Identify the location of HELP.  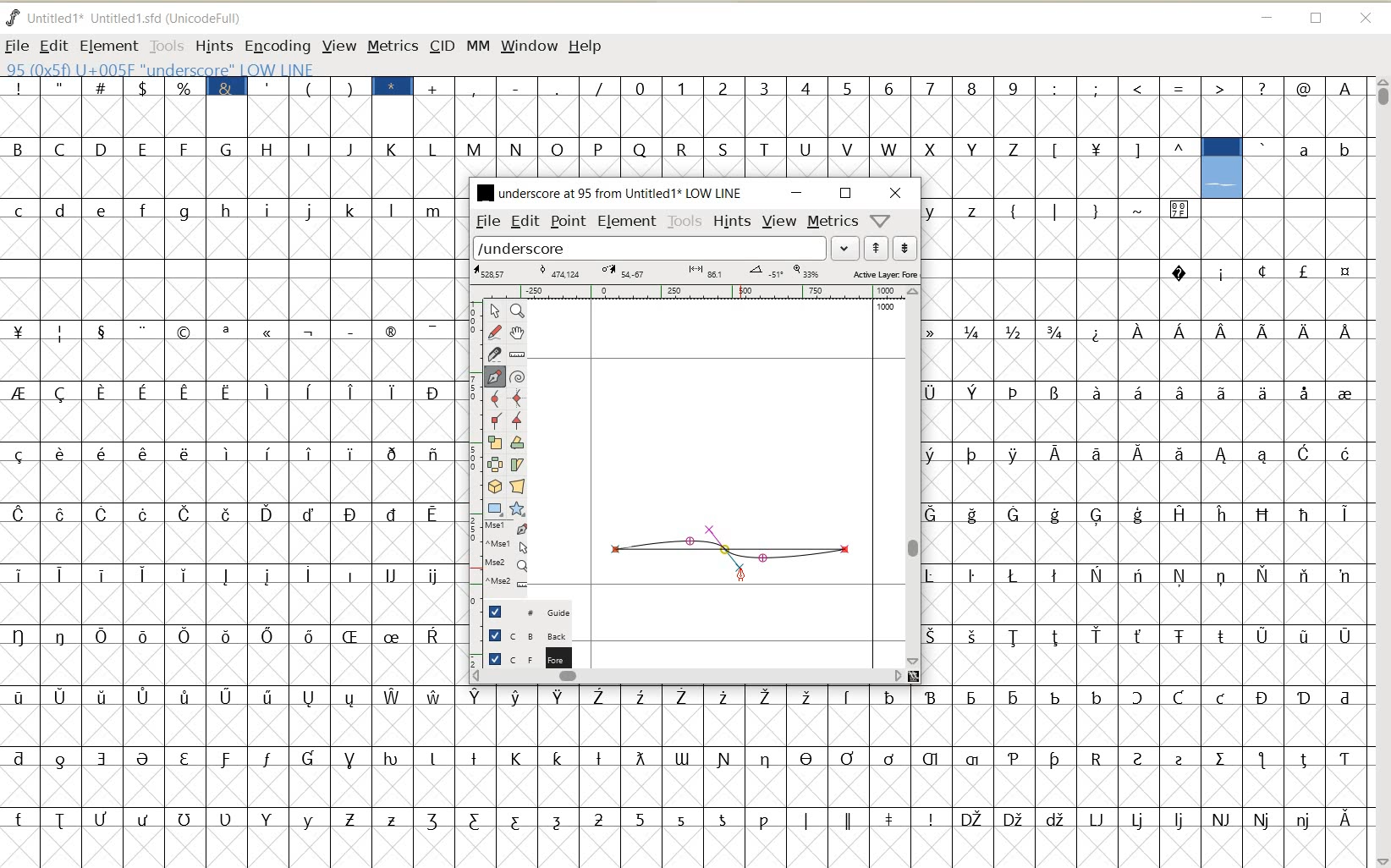
(587, 47).